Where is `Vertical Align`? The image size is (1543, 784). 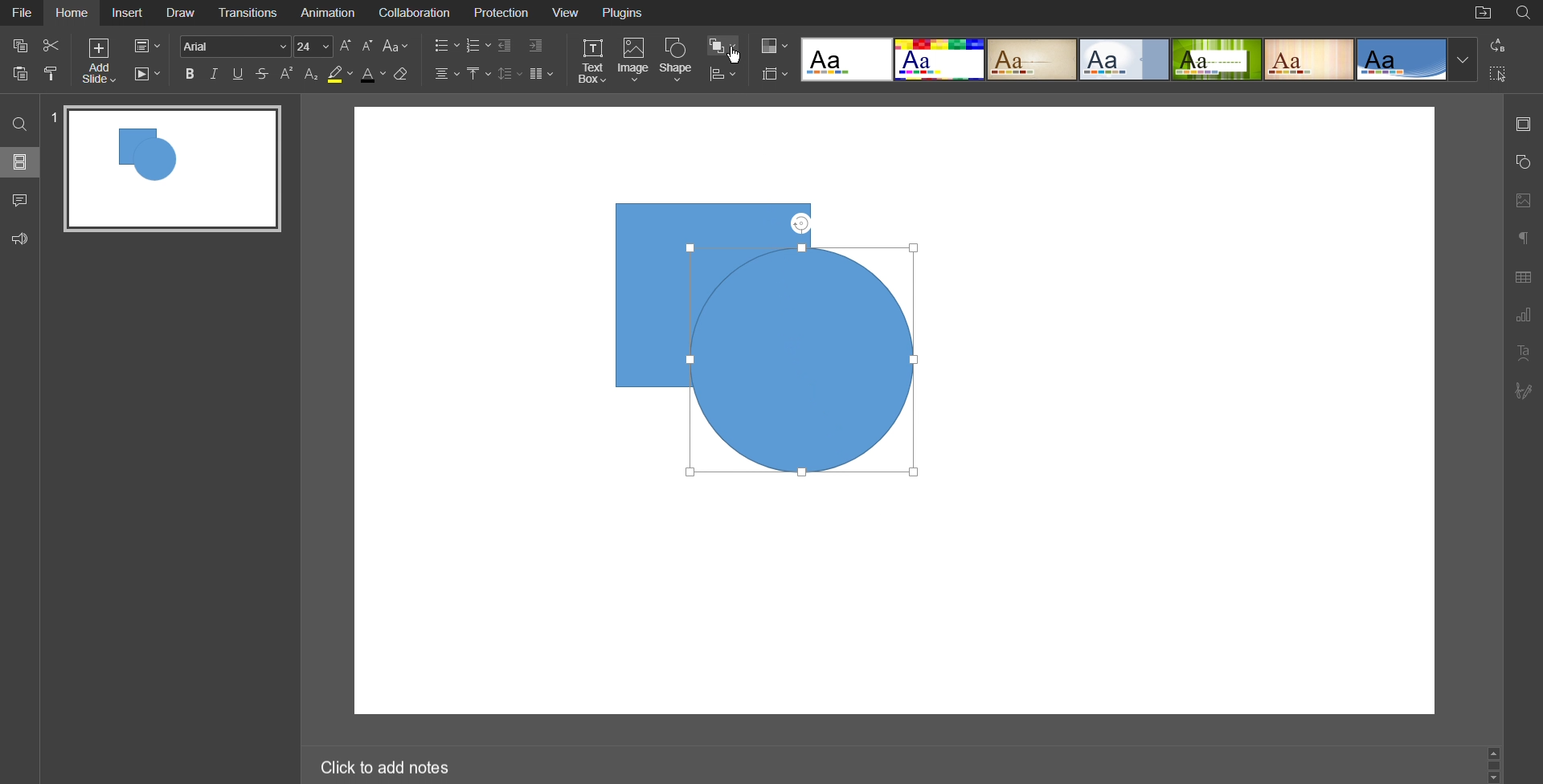 Vertical Align is located at coordinates (477, 72).